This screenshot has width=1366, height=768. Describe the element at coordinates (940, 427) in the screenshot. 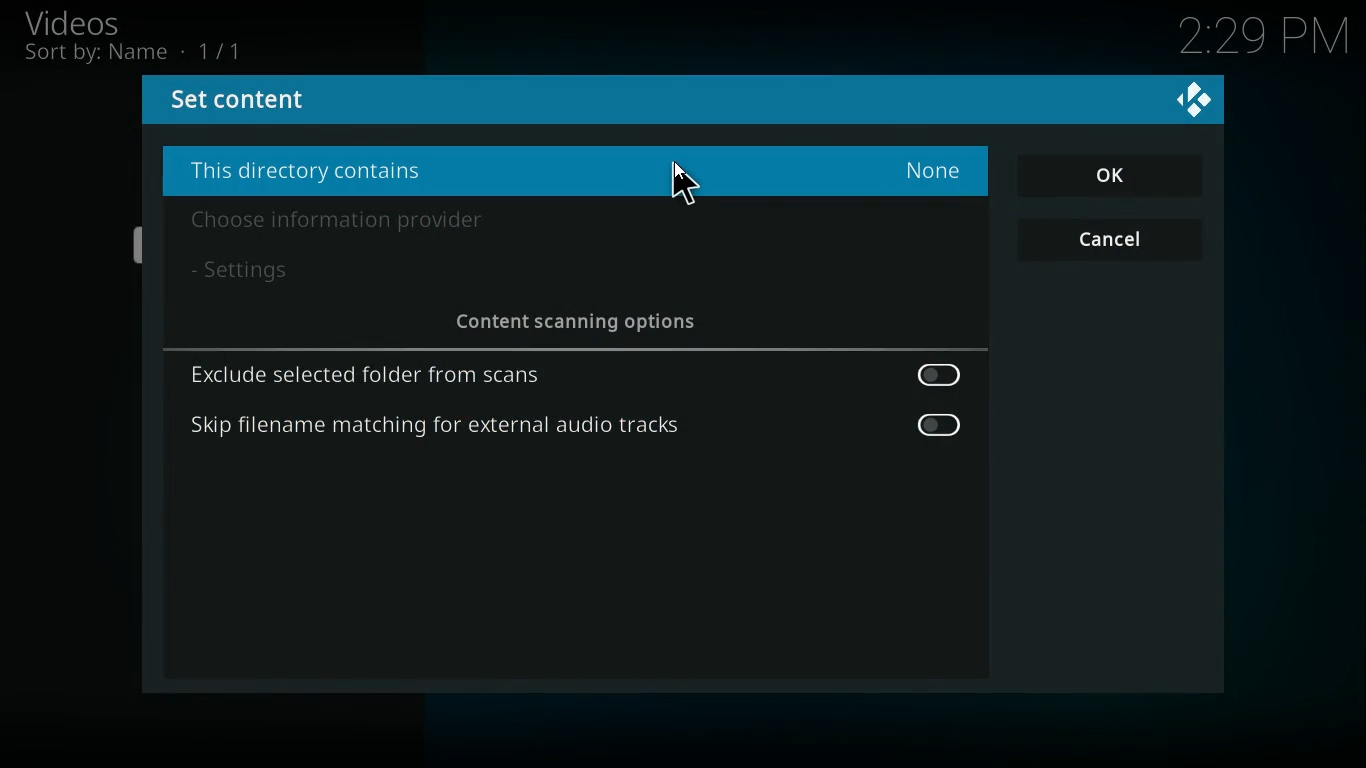

I see `off` at that location.